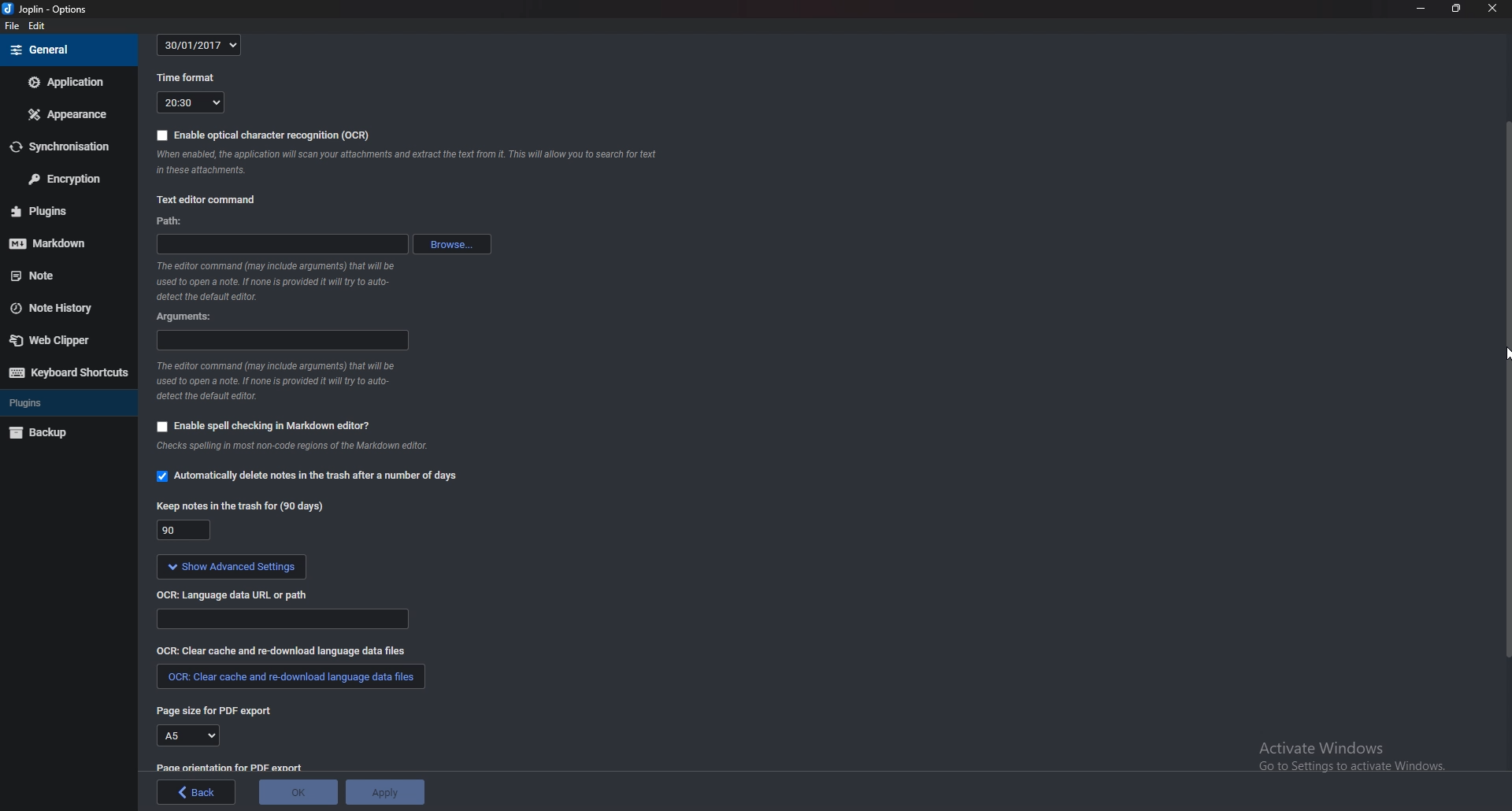 The image size is (1512, 811). Describe the element at coordinates (68, 373) in the screenshot. I see `Keyboard shortcuts` at that location.